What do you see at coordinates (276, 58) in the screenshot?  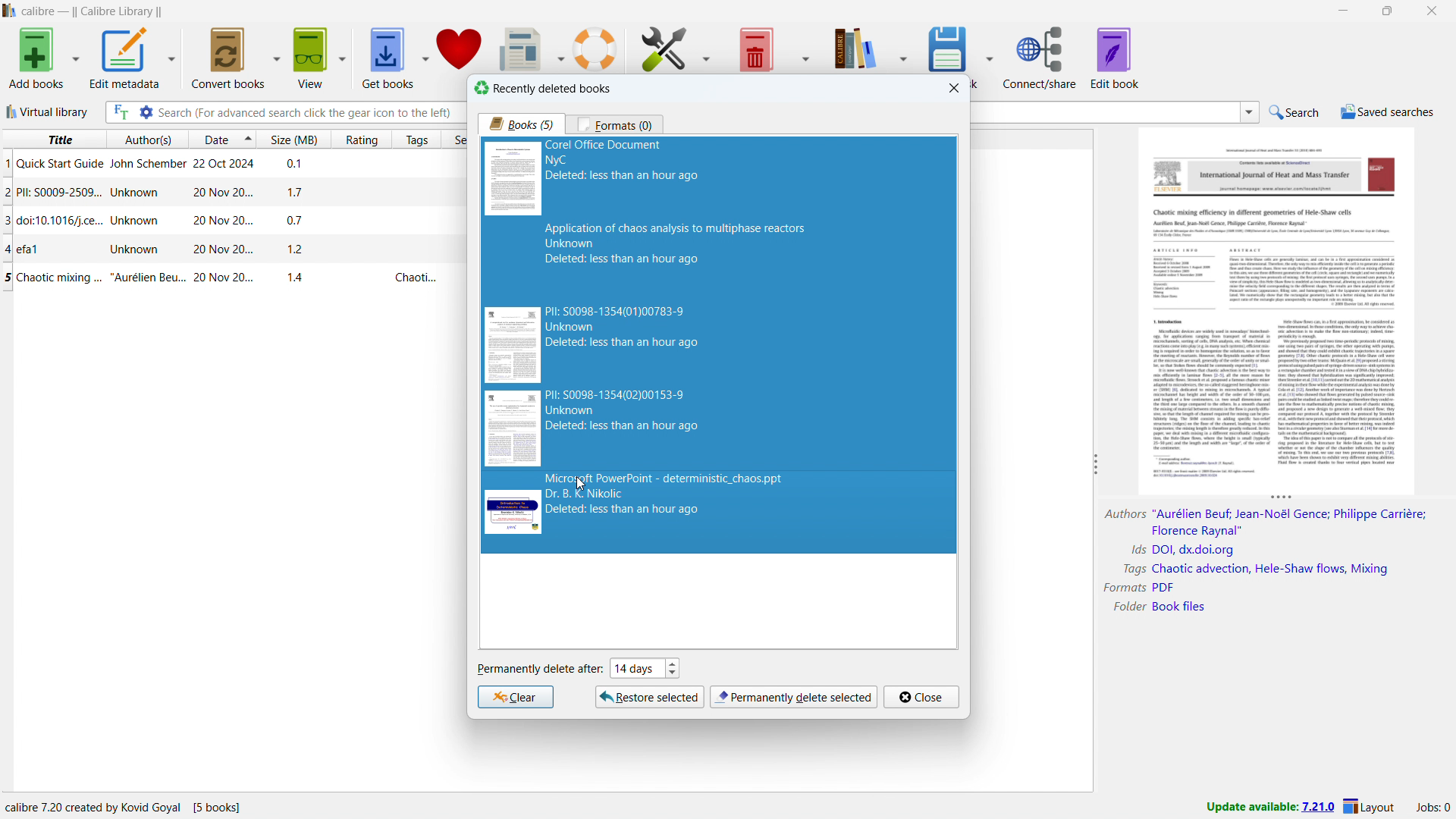 I see `convert books options` at bounding box center [276, 58].